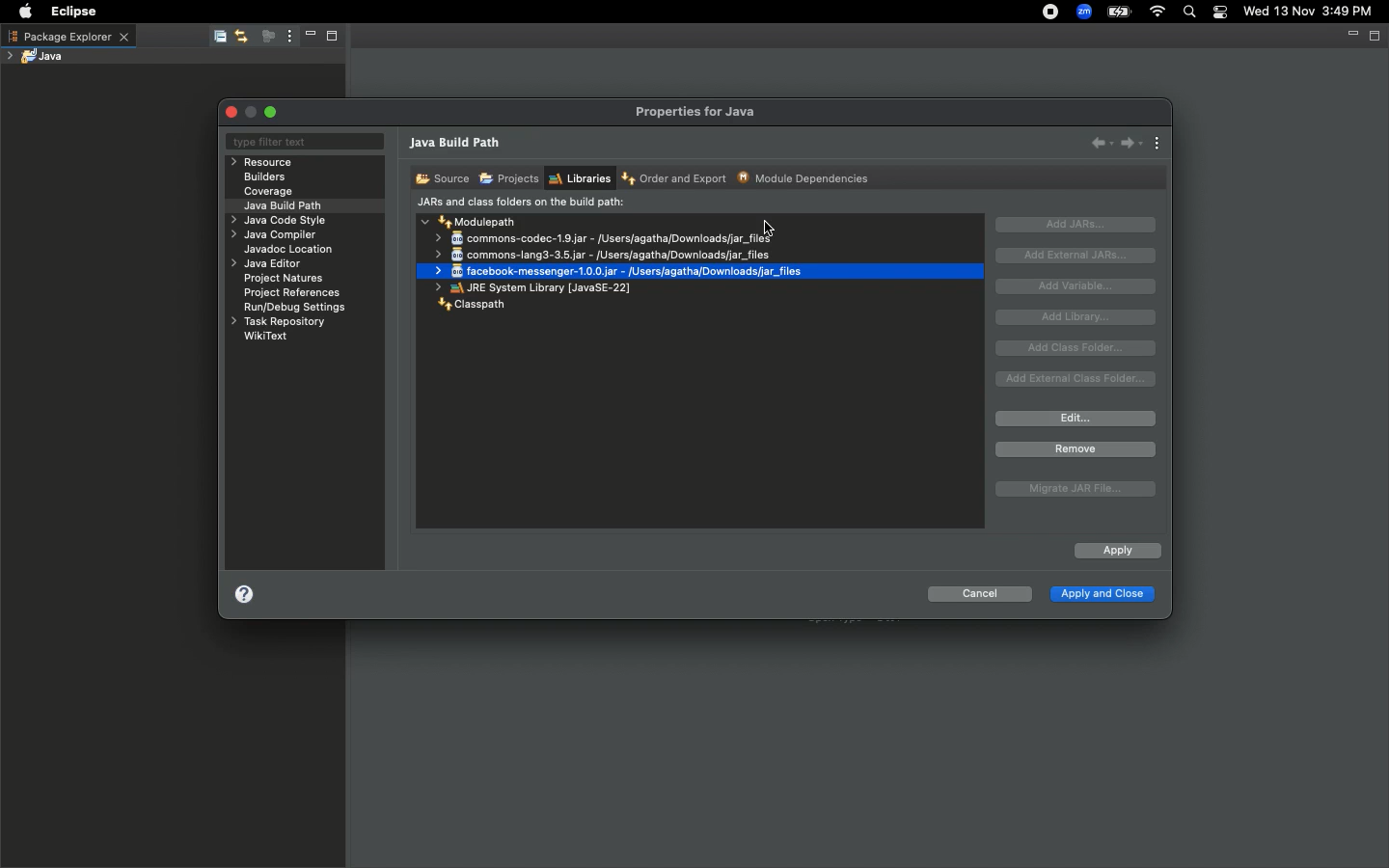 This screenshot has height=868, width=1389. I want to click on Minimize, so click(1350, 38).